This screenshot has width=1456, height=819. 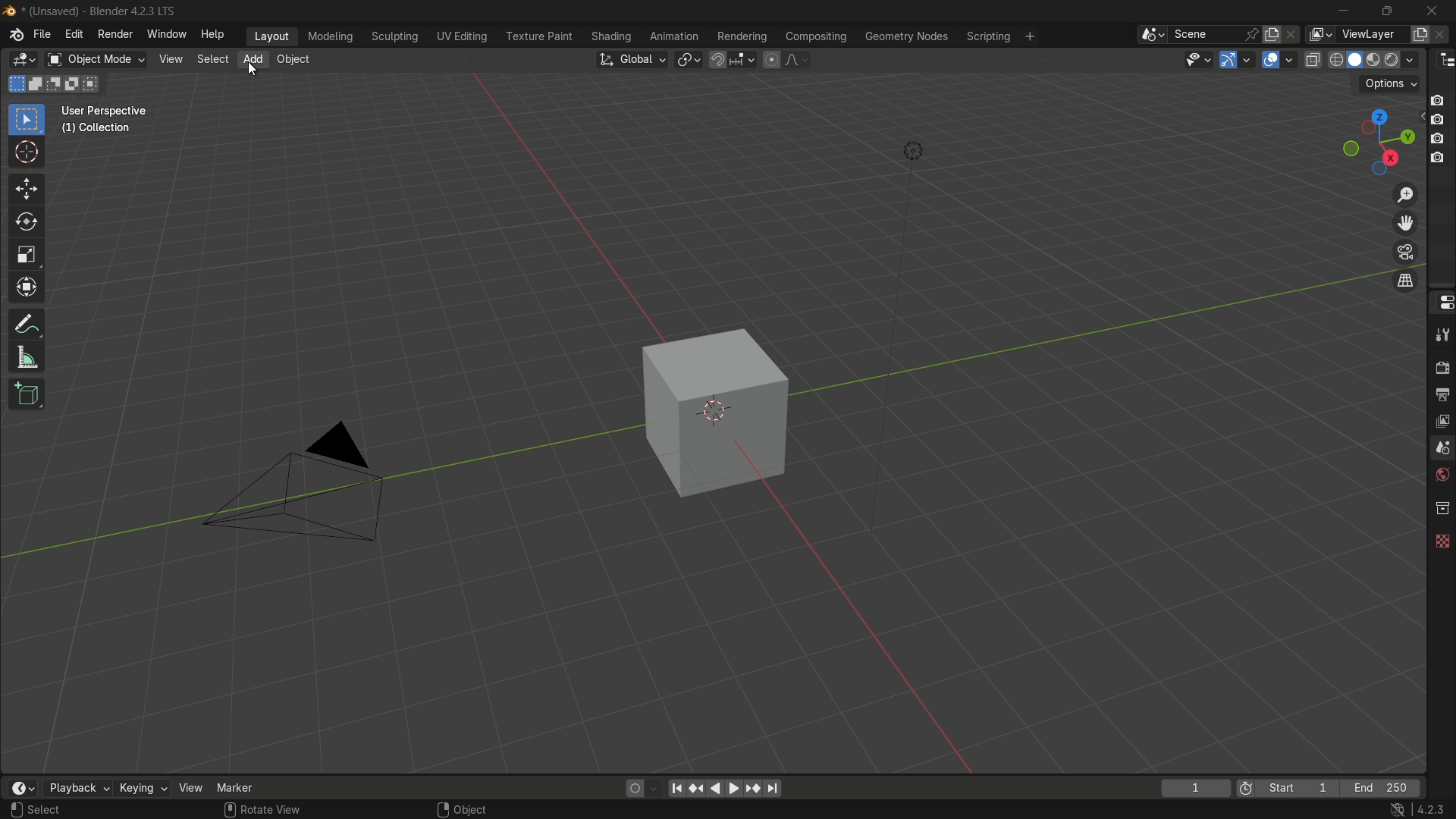 I want to click on transformation pivot table, so click(x=690, y=59).